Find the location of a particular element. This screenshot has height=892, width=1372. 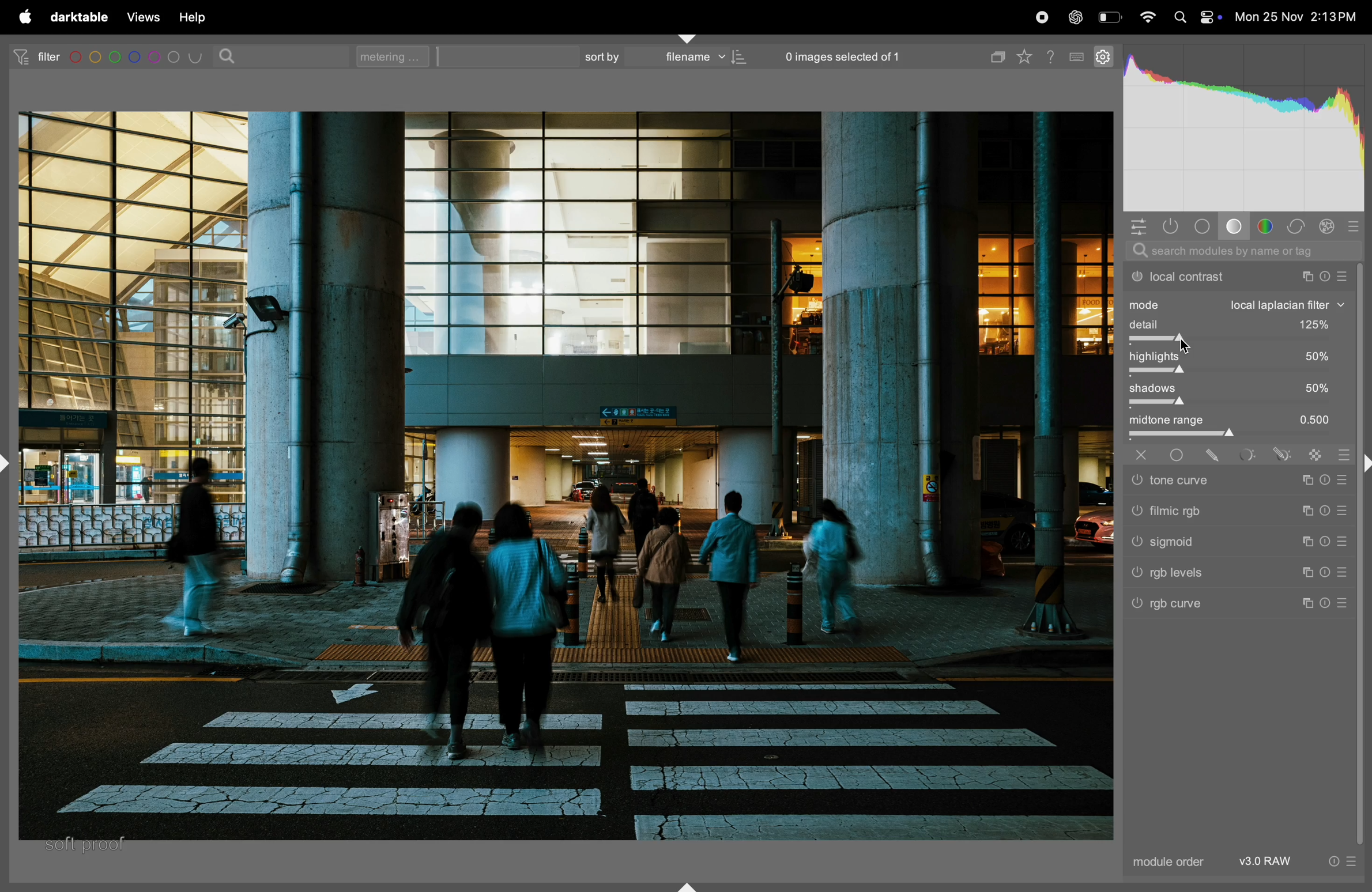

raster mask is located at coordinates (1318, 454).